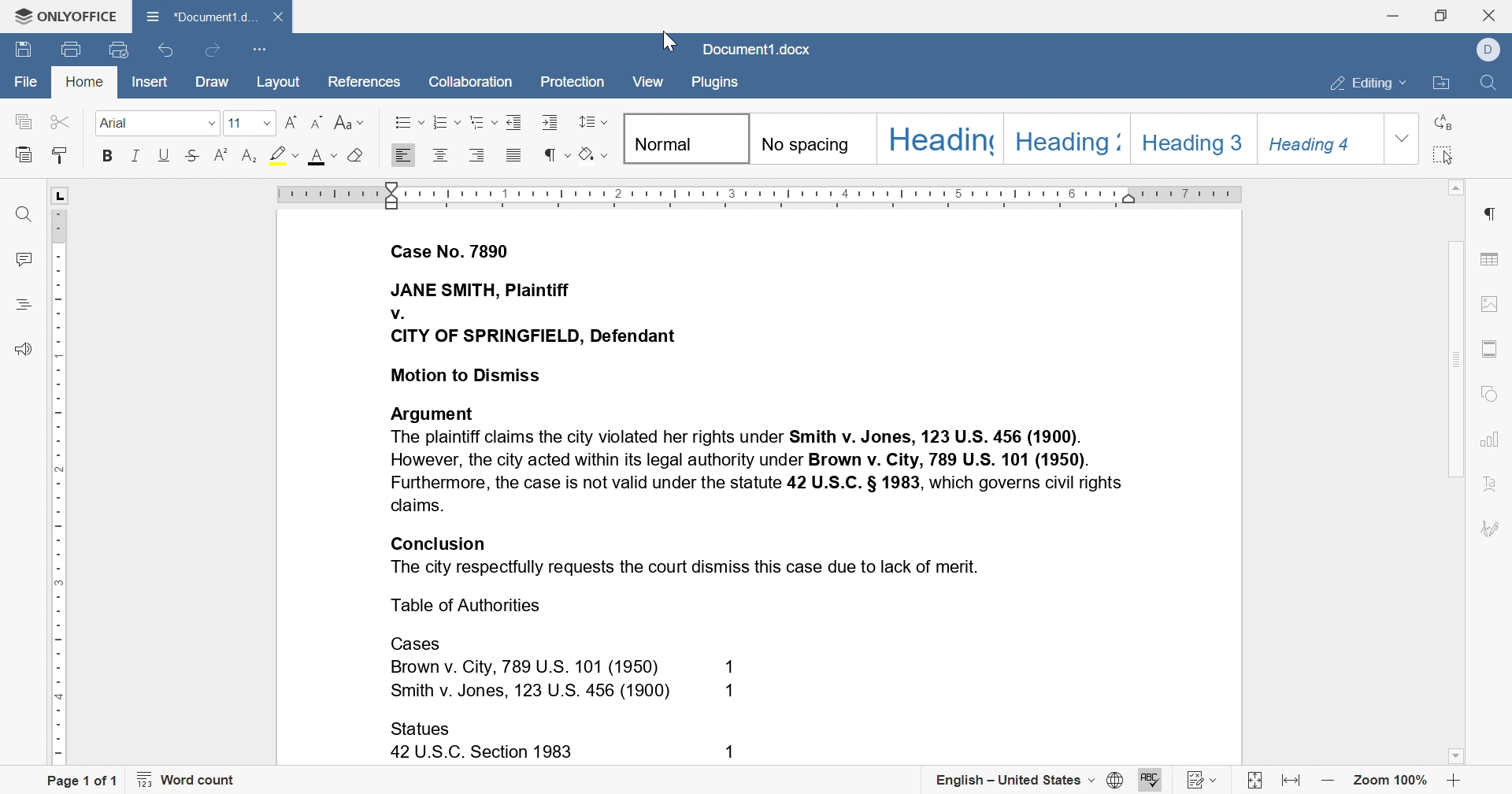 The image size is (1512, 794). Describe the element at coordinates (59, 121) in the screenshot. I see `cut` at that location.